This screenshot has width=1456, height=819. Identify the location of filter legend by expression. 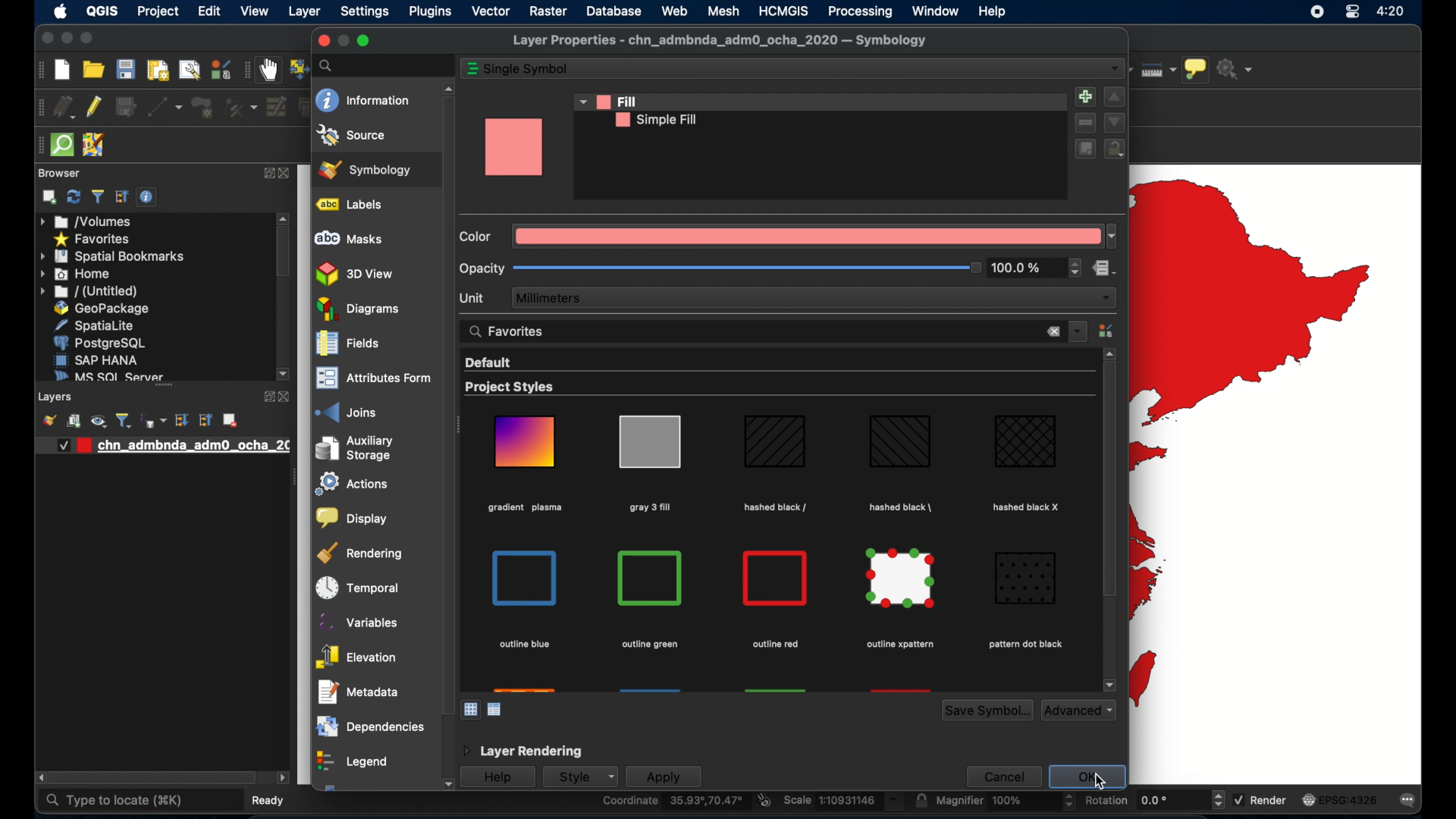
(155, 420).